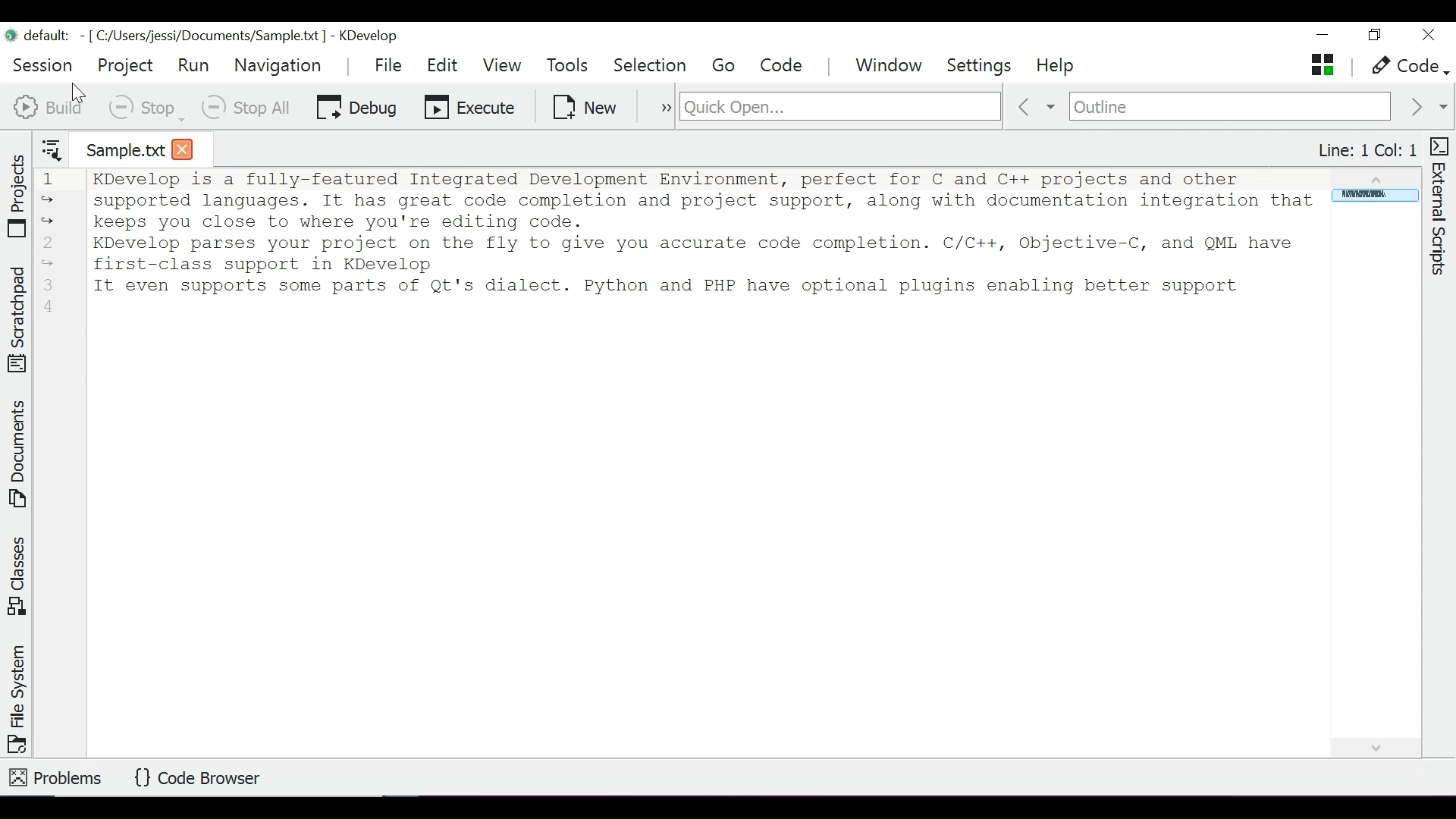  I want to click on Cursor, so click(80, 91).